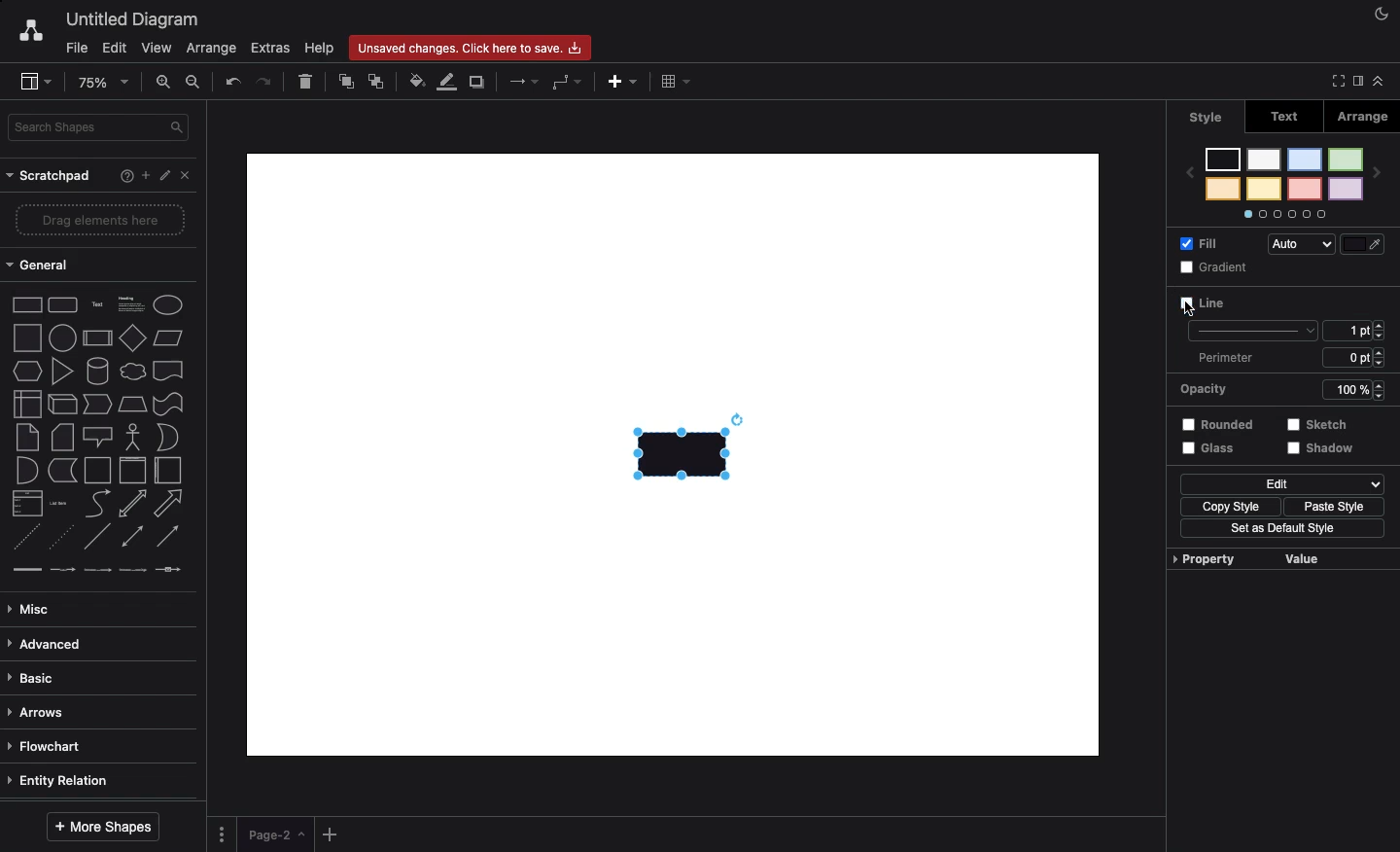 The image size is (1400, 852). Describe the element at coordinates (102, 126) in the screenshot. I see `Search in shapes` at that location.